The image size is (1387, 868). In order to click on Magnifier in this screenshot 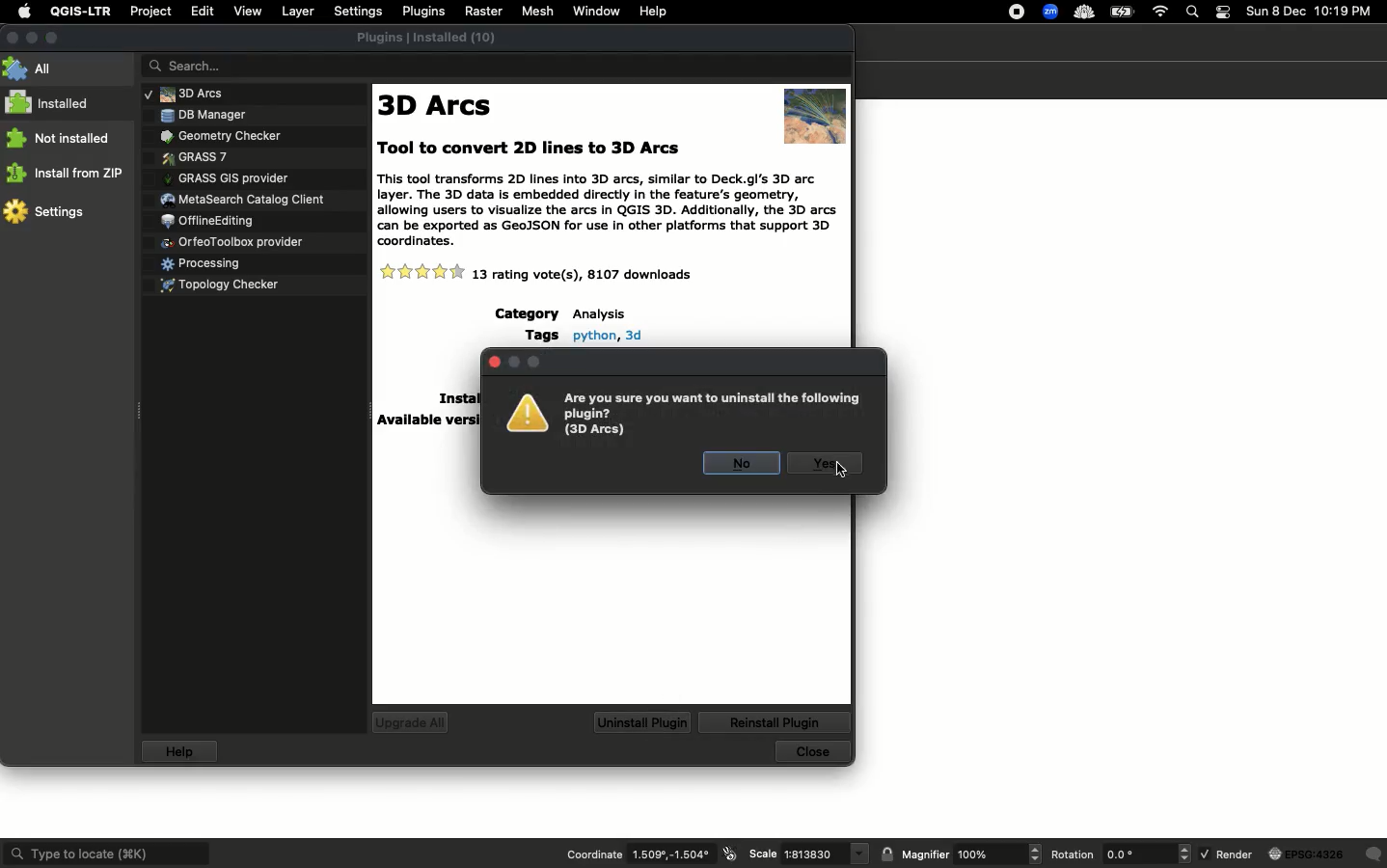, I will do `click(961, 854)`.